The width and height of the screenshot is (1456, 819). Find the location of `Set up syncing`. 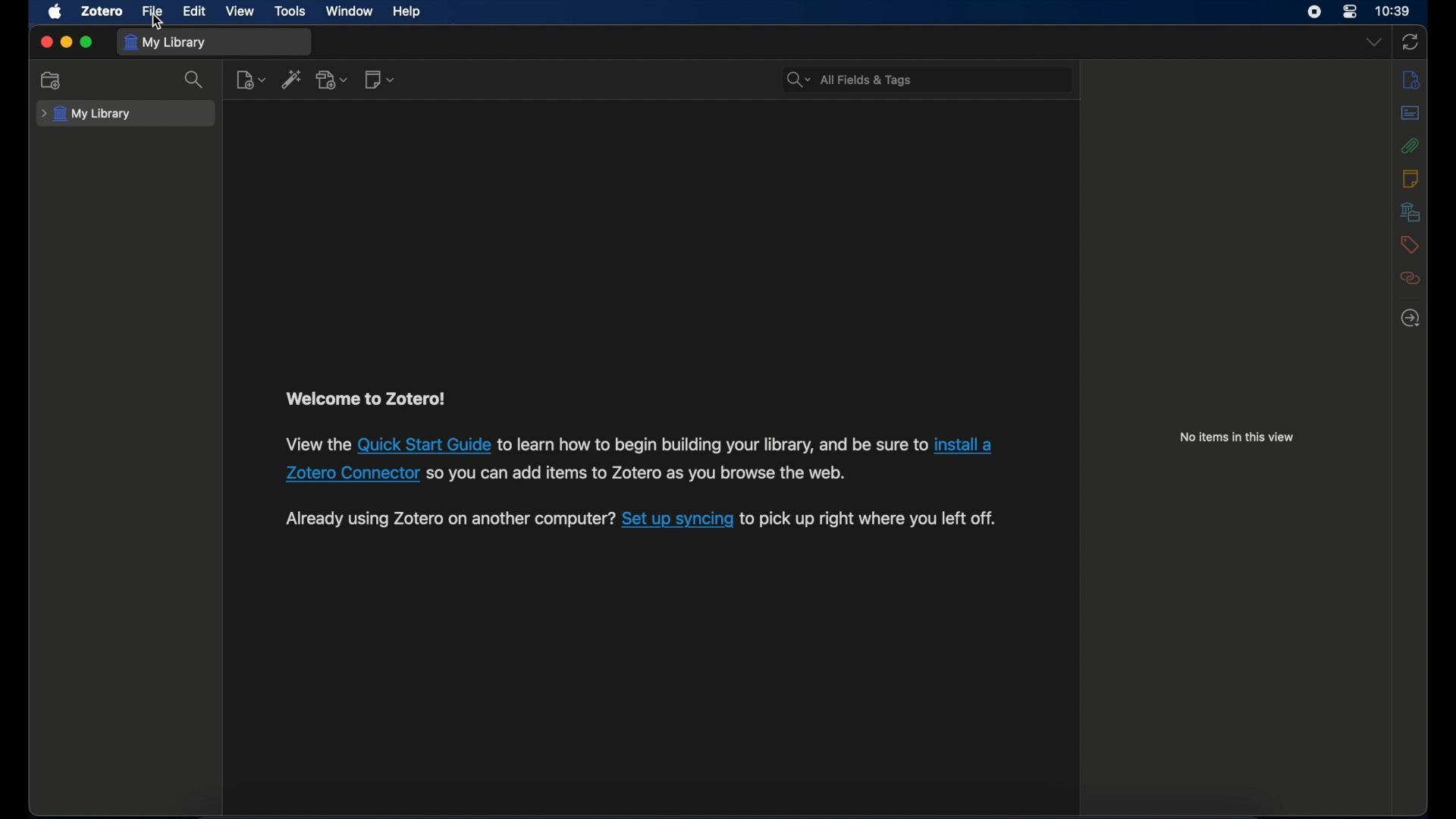

Set up syncing is located at coordinates (678, 520).